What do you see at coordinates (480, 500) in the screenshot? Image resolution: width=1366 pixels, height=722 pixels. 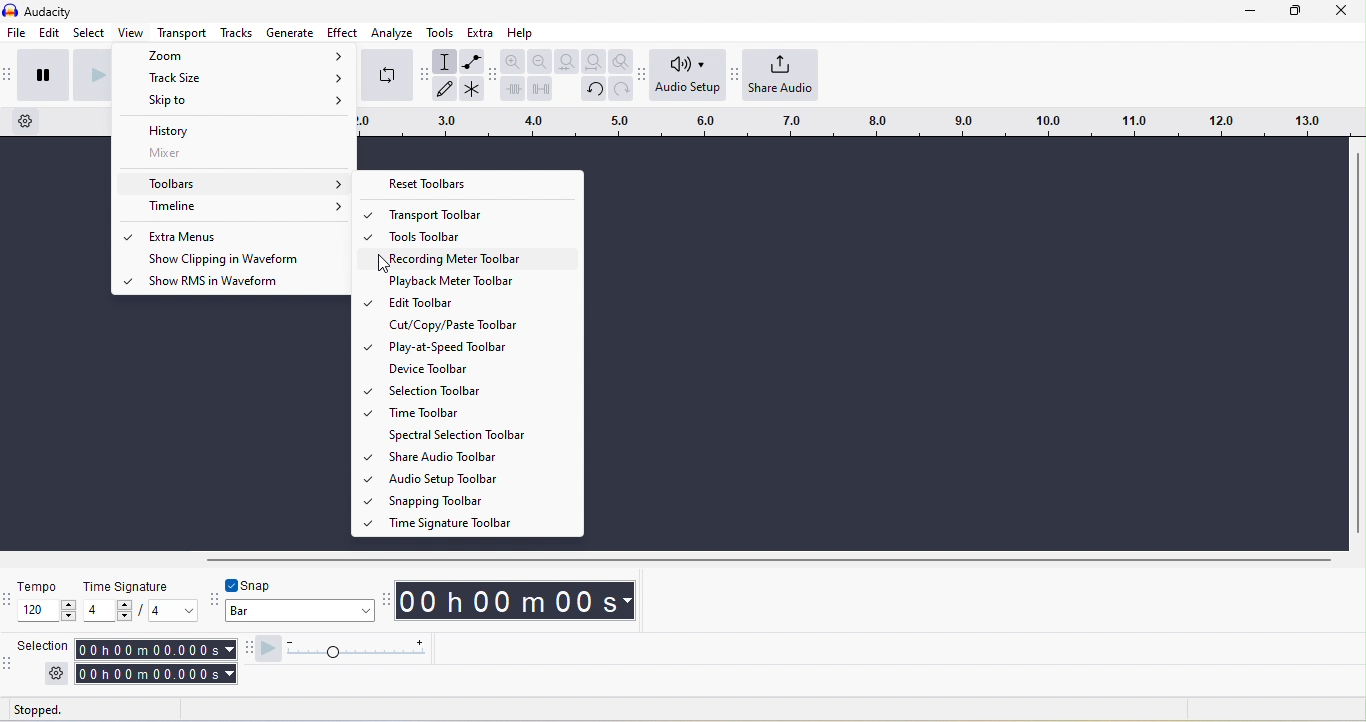 I see `Snapping tool bar` at bounding box center [480, 500].